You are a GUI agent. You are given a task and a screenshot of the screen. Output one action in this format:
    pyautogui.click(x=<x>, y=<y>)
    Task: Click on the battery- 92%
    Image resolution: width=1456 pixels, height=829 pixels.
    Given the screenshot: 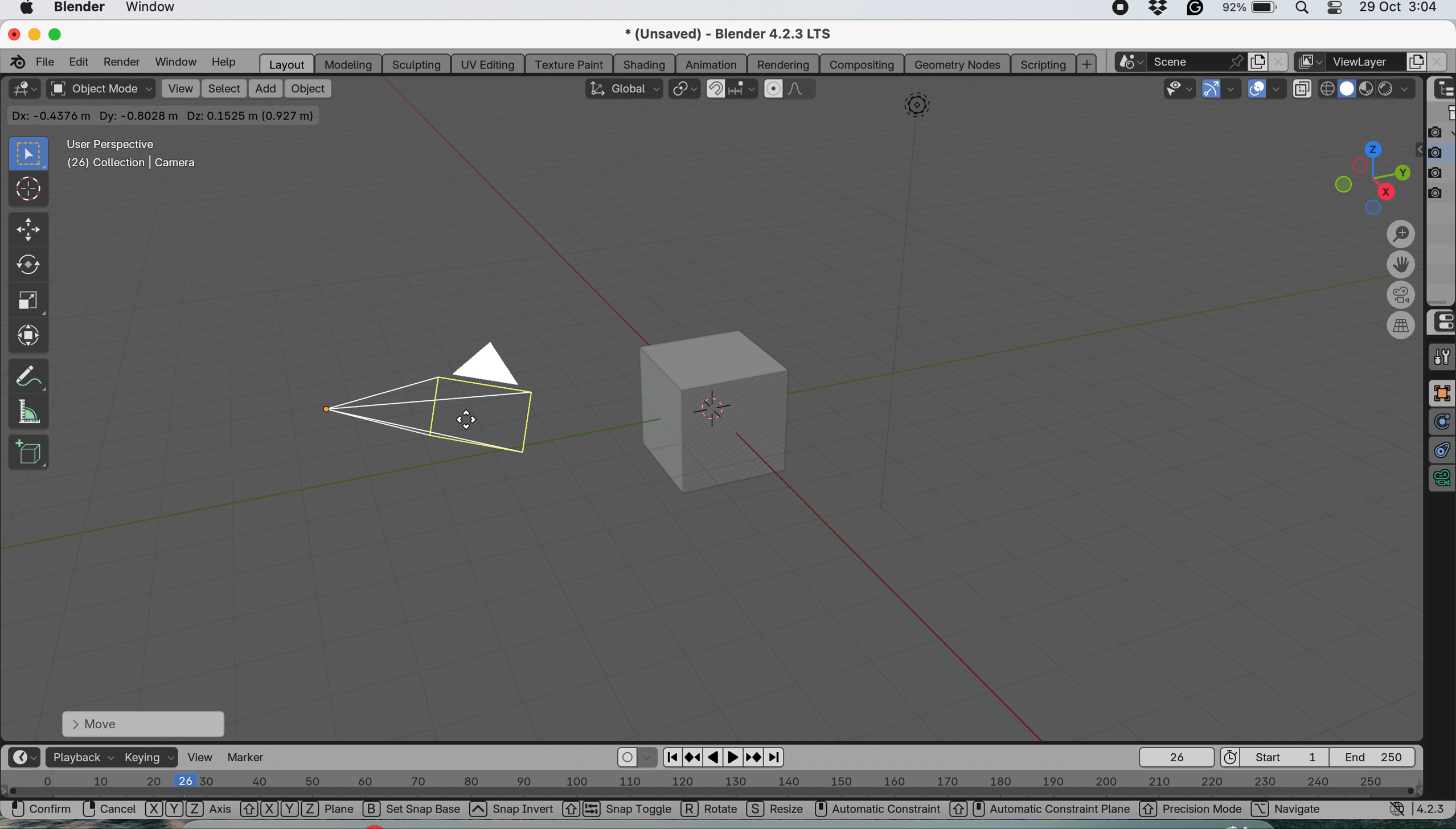 What is the action you would take?
    pyautogui.click(x=1256, y=11)
    